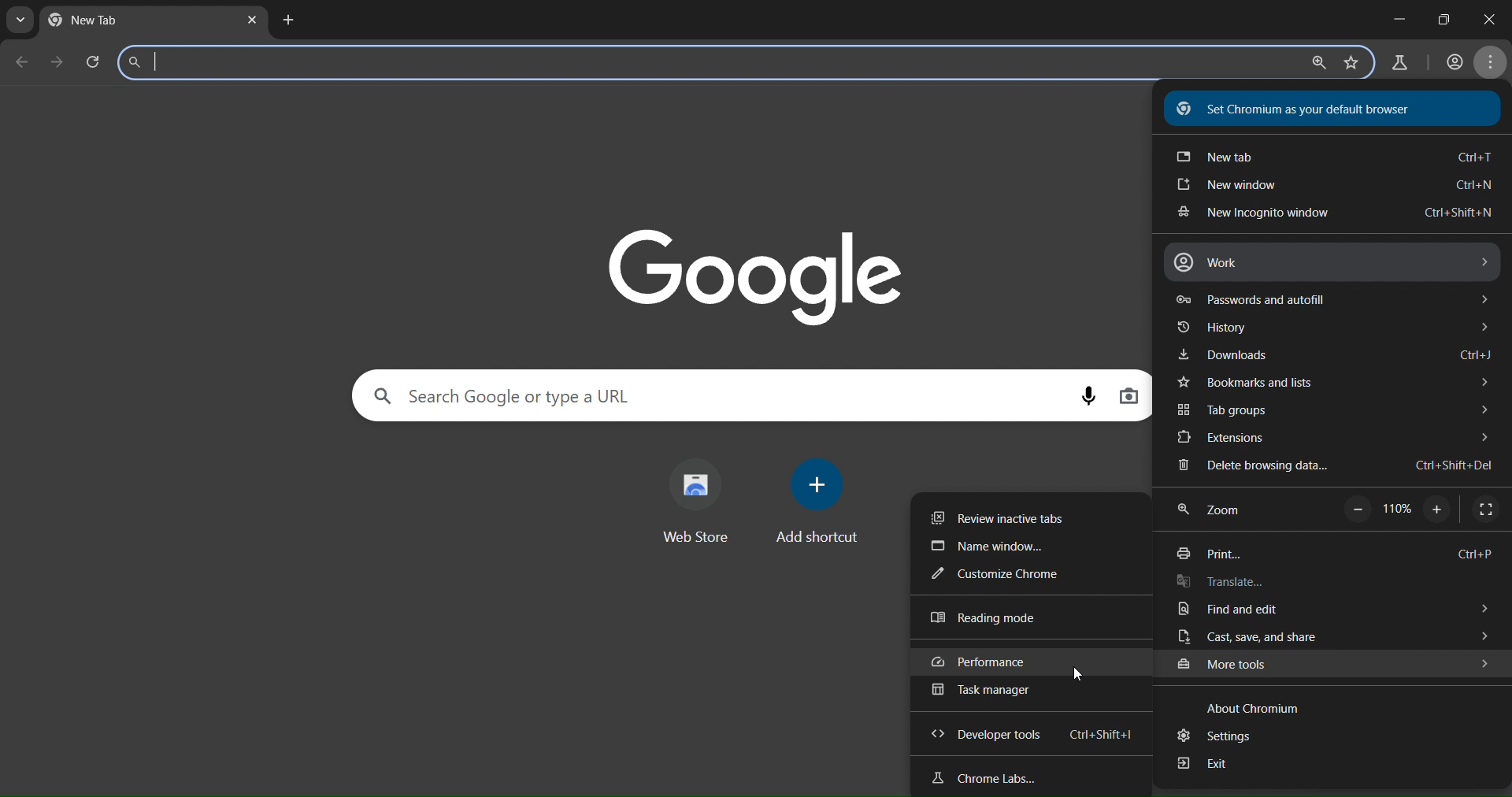  What do you see at coordinates (1486, 18) in the screenshot?
I see `close` at bounding box center [1486, 18].